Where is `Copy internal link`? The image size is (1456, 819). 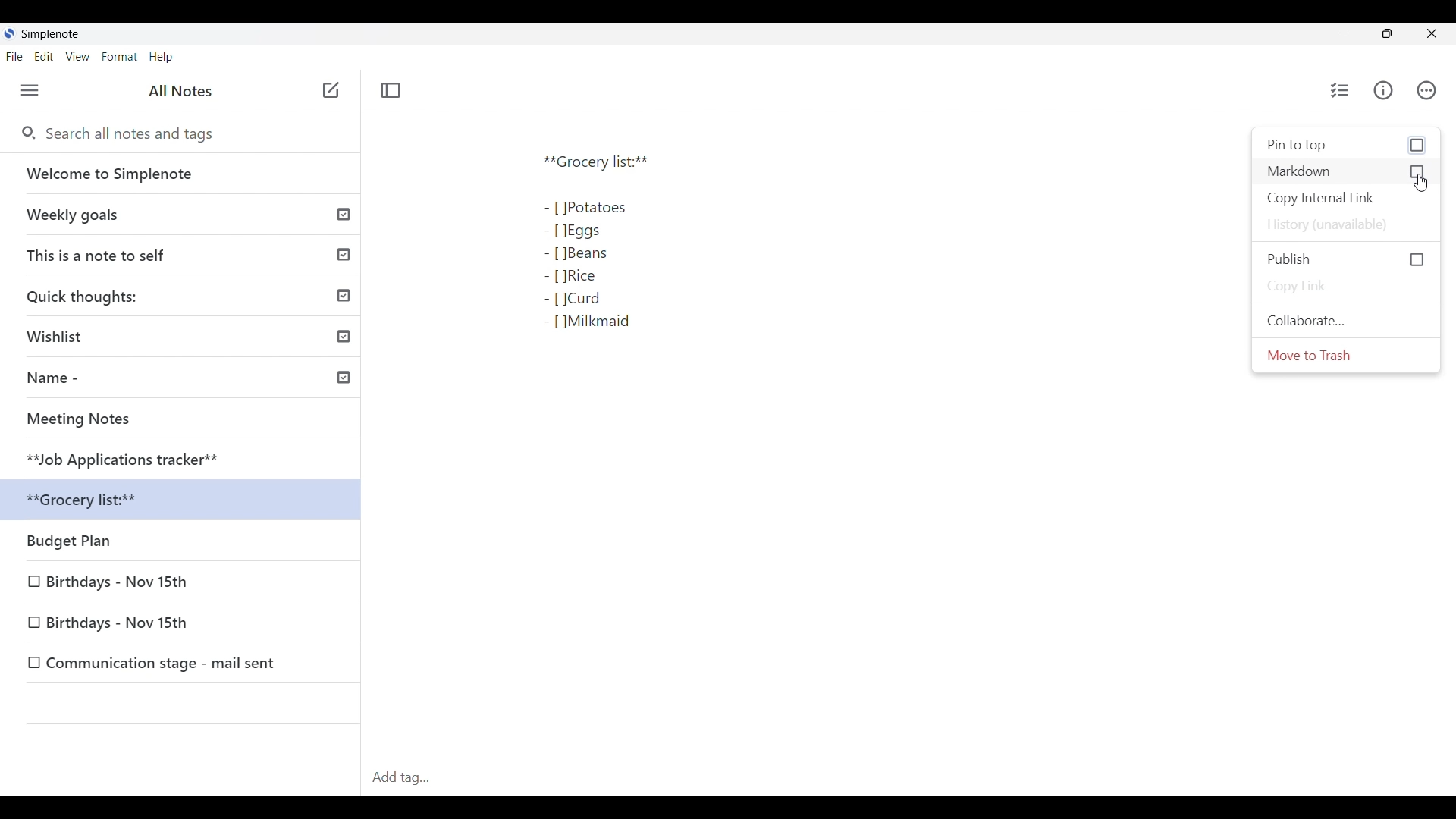
Copy internal link is located at coordinates (1347, 199).